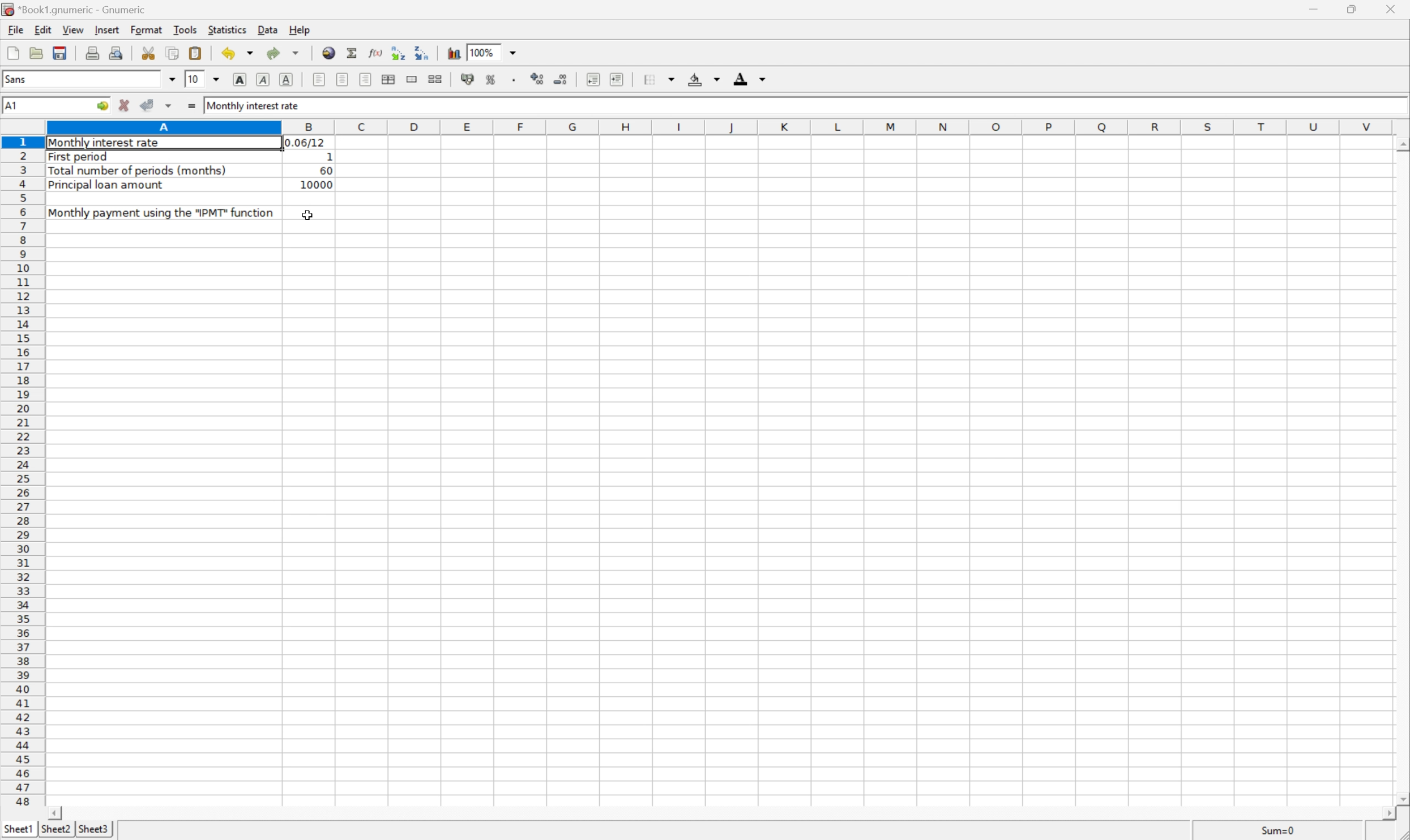 The image size is (1410, 840). What do you see at coordinates (657, 79) in the screenshot?
I see `Borders` at bounding box center [657, 79].